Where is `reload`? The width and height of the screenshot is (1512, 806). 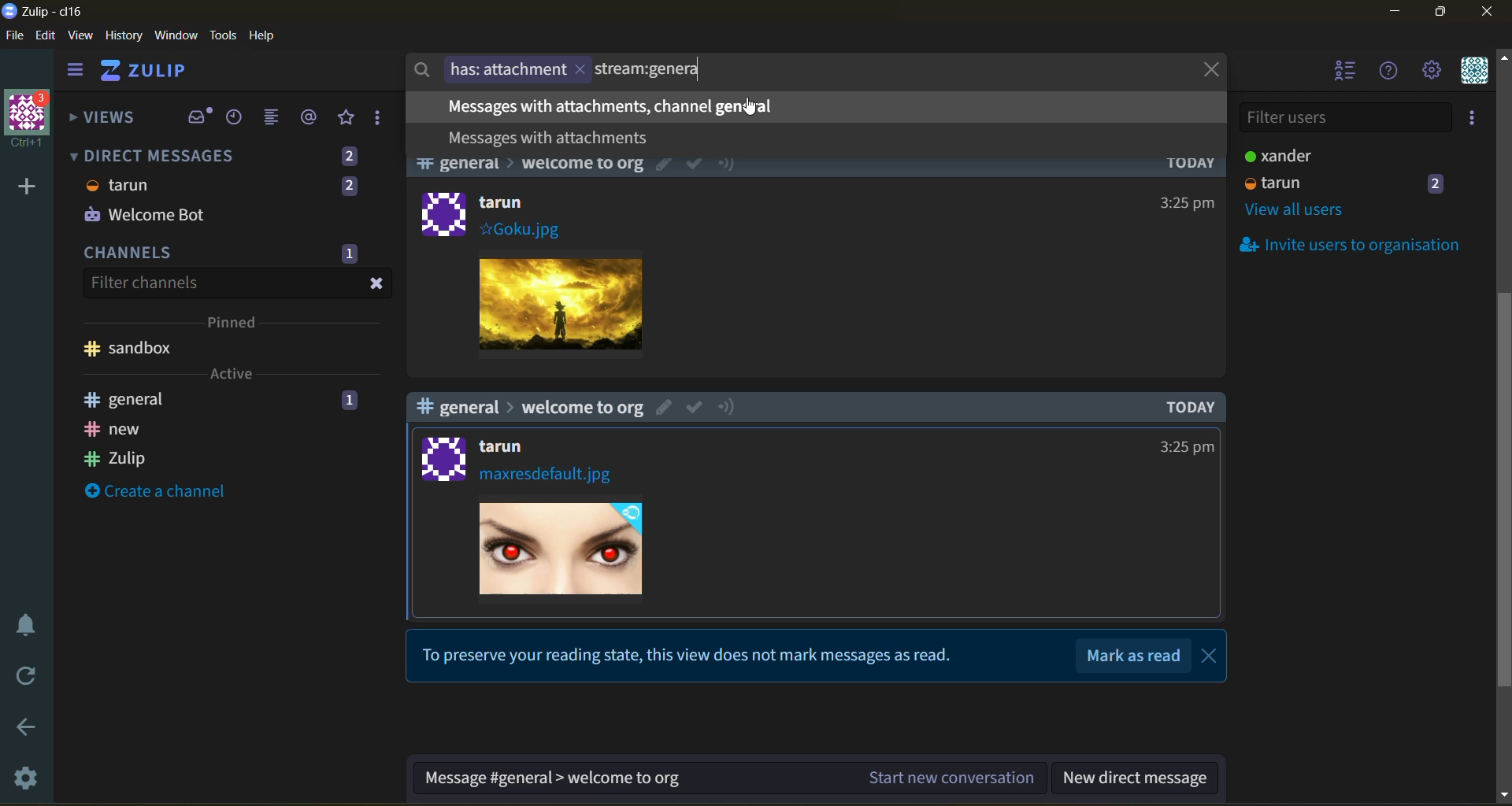 reload is located at coordinates (28, 673).